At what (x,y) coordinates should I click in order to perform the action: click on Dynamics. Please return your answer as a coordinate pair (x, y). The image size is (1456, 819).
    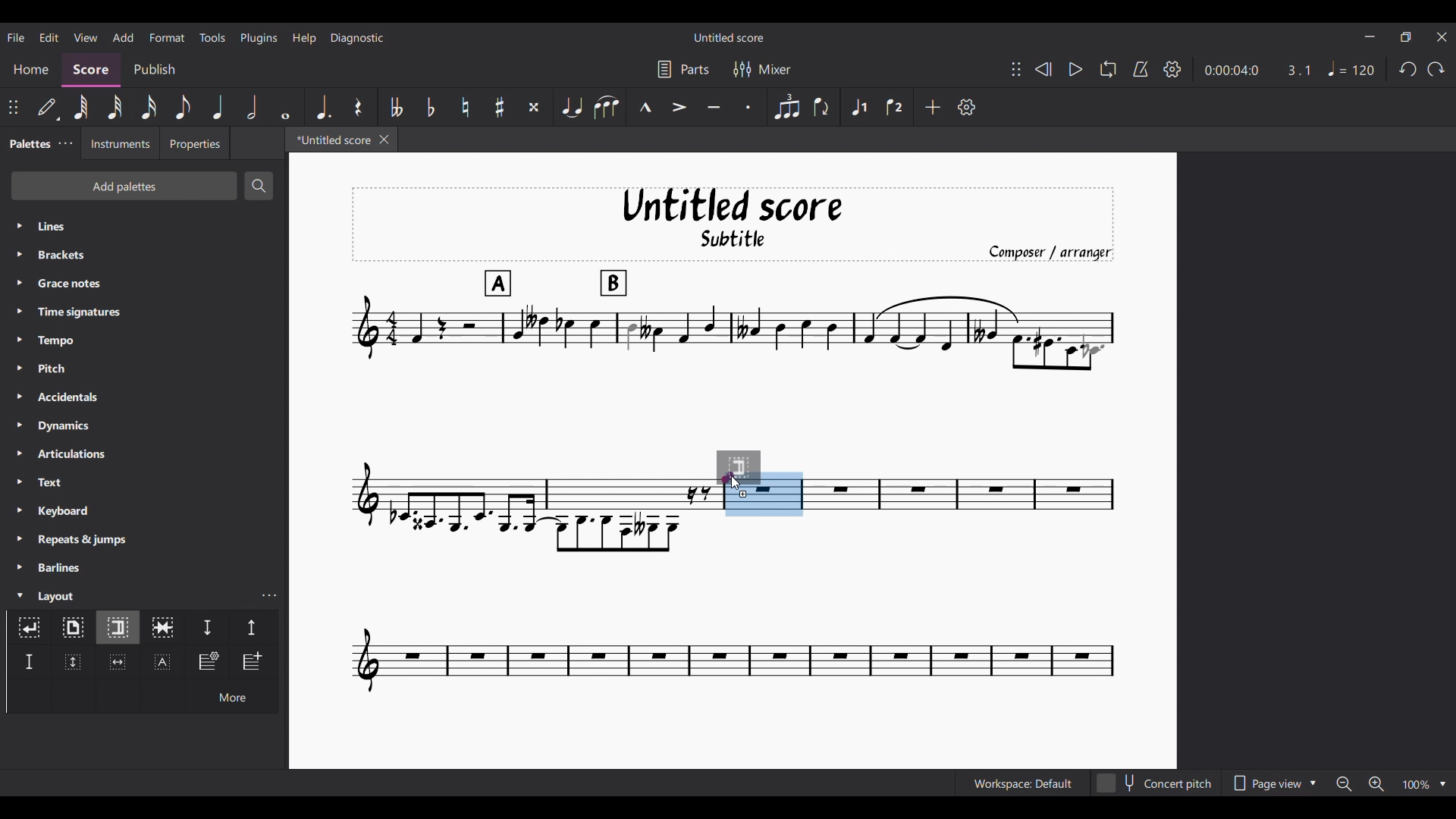
    Looking at the image, I should click on (144, 426).